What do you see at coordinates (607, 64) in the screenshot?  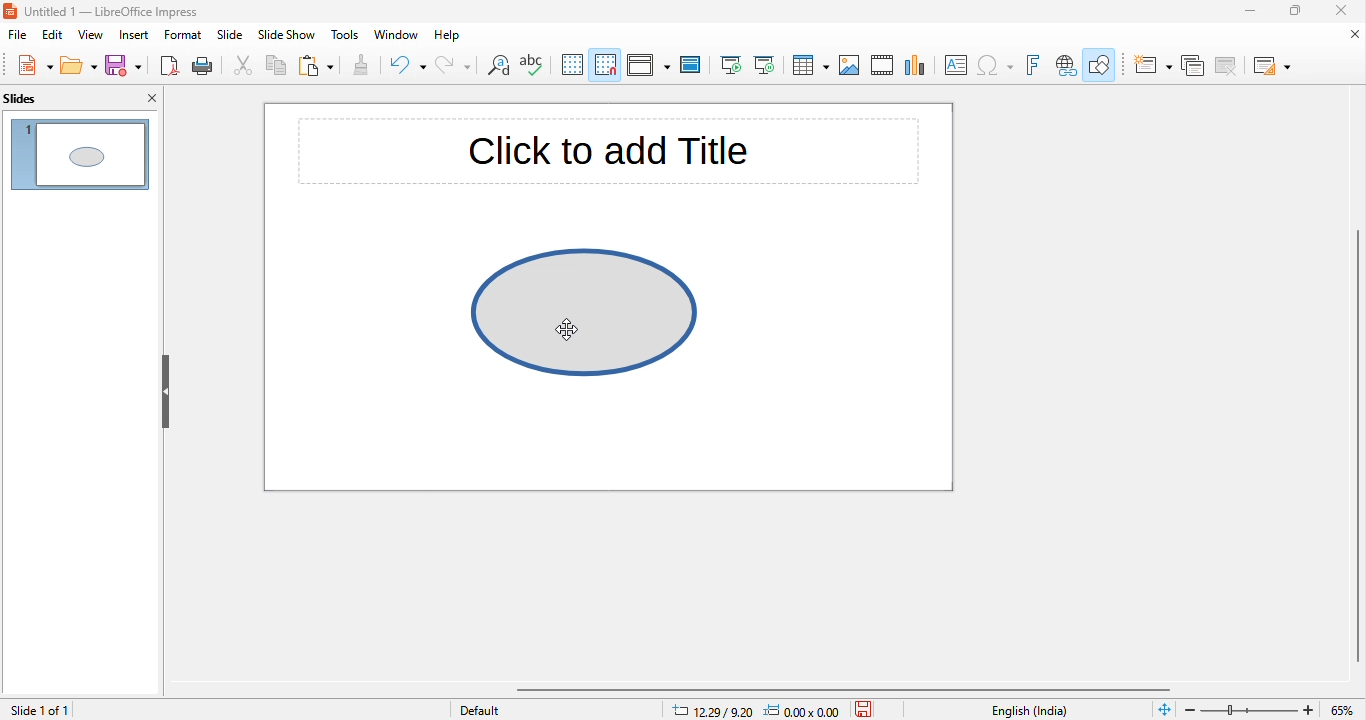 I see `snap to grid` at bounding box center [607, 64].